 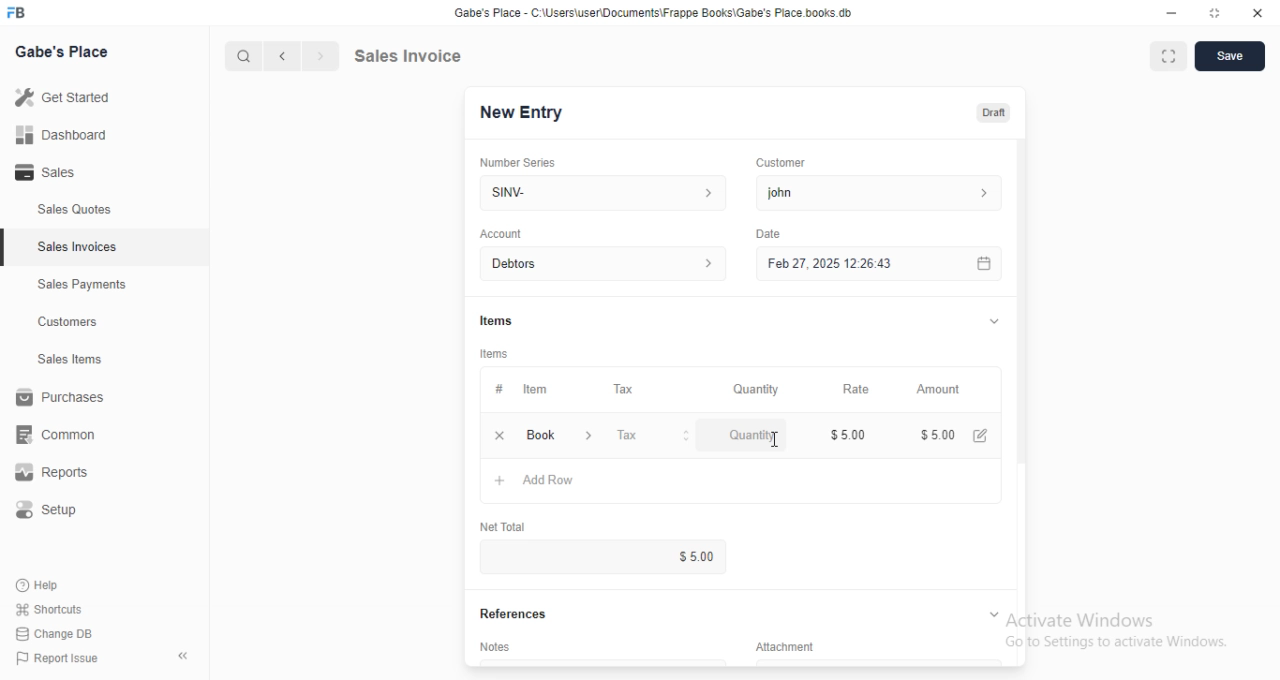 What do you see at coordinates (24, 13) in the screenshot?
I see `Logo` at bounding box center [24, 13].